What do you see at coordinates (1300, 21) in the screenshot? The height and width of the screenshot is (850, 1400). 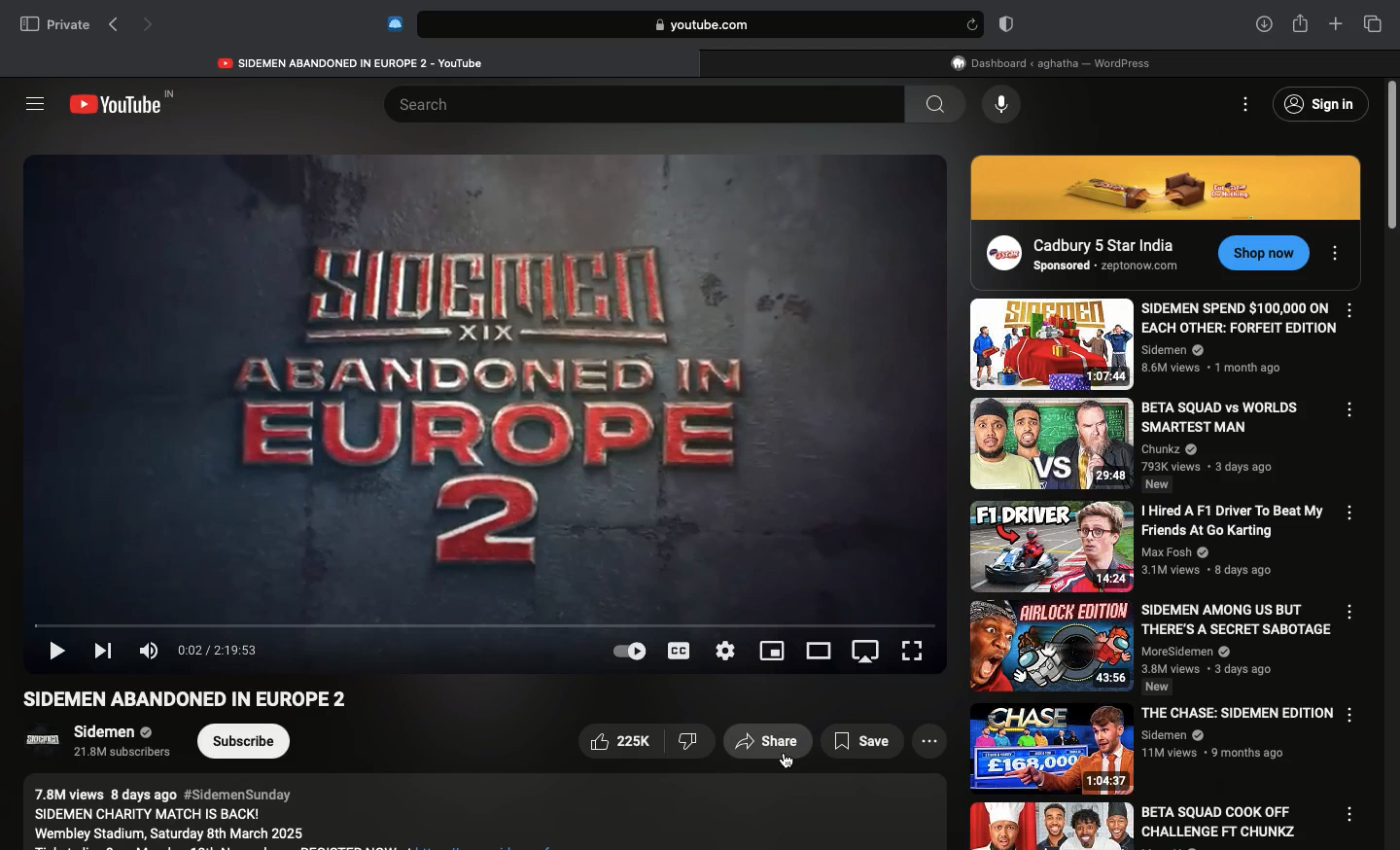 I see `Share` at bounding box center [1300, 21].